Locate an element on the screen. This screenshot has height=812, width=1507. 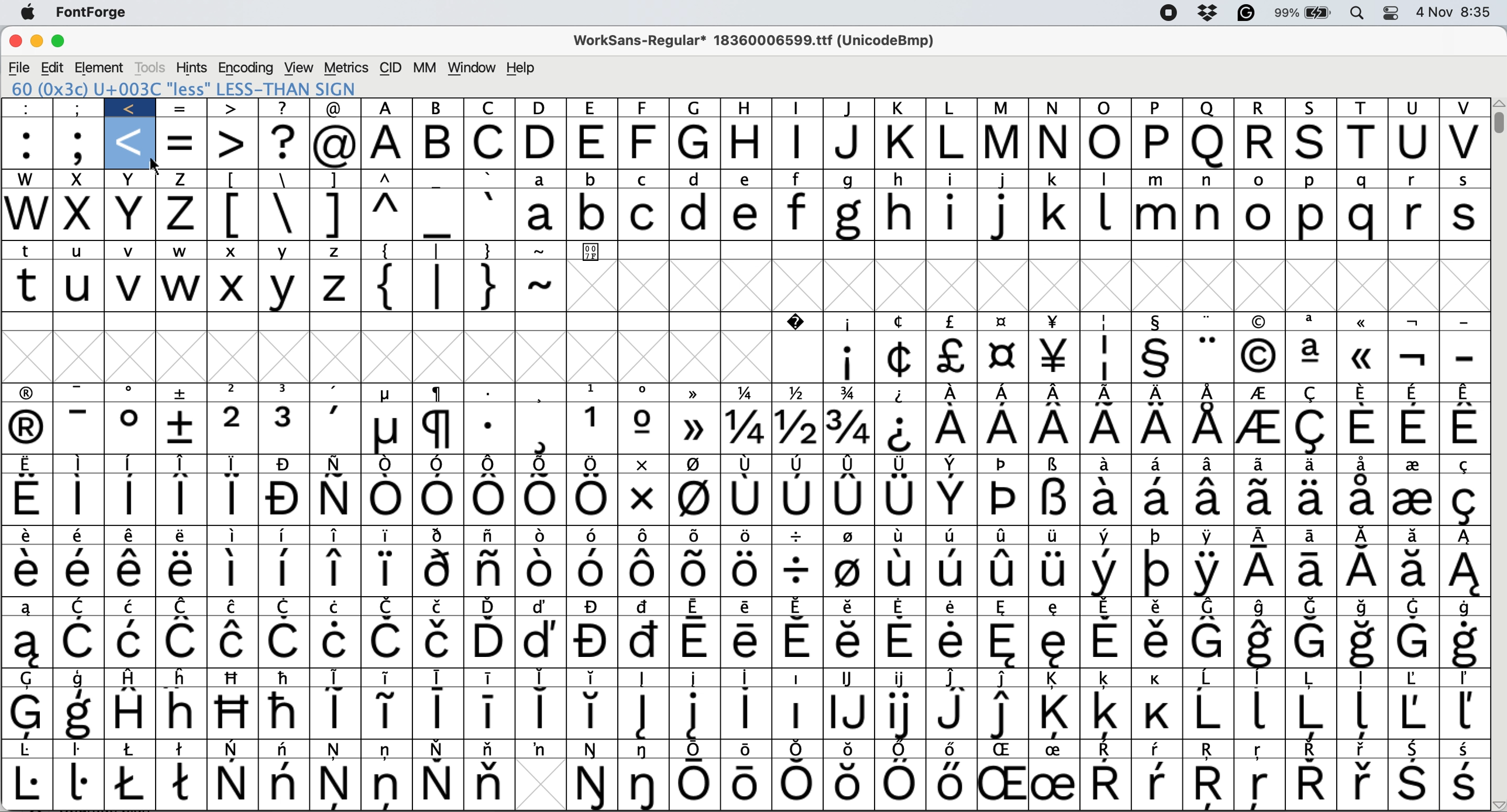
i is located at coordinates (797, 107).